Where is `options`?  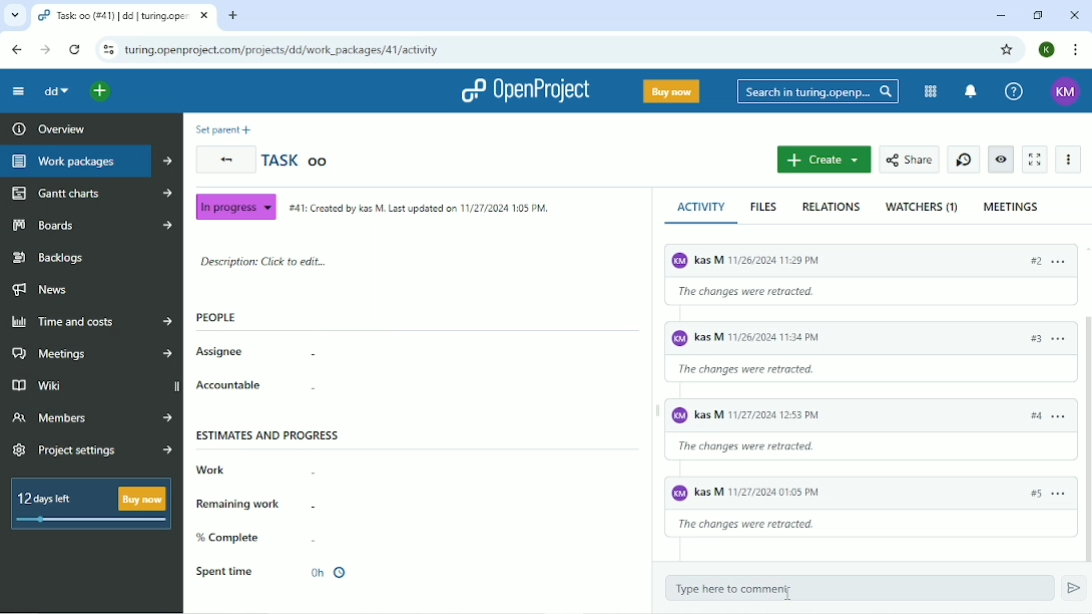 options is located at coordinates (1061, 496).